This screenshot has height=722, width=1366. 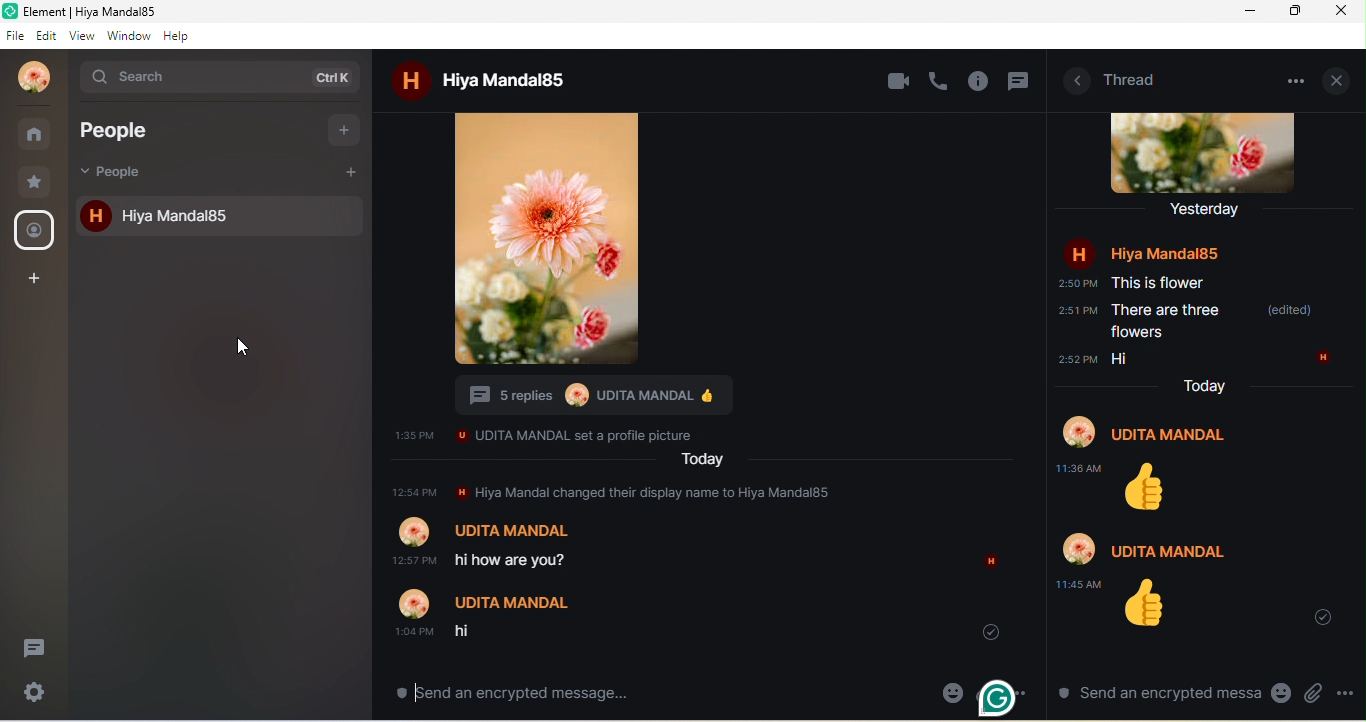 I want to click on Udita Mandal, so click(x=1174, y=435).